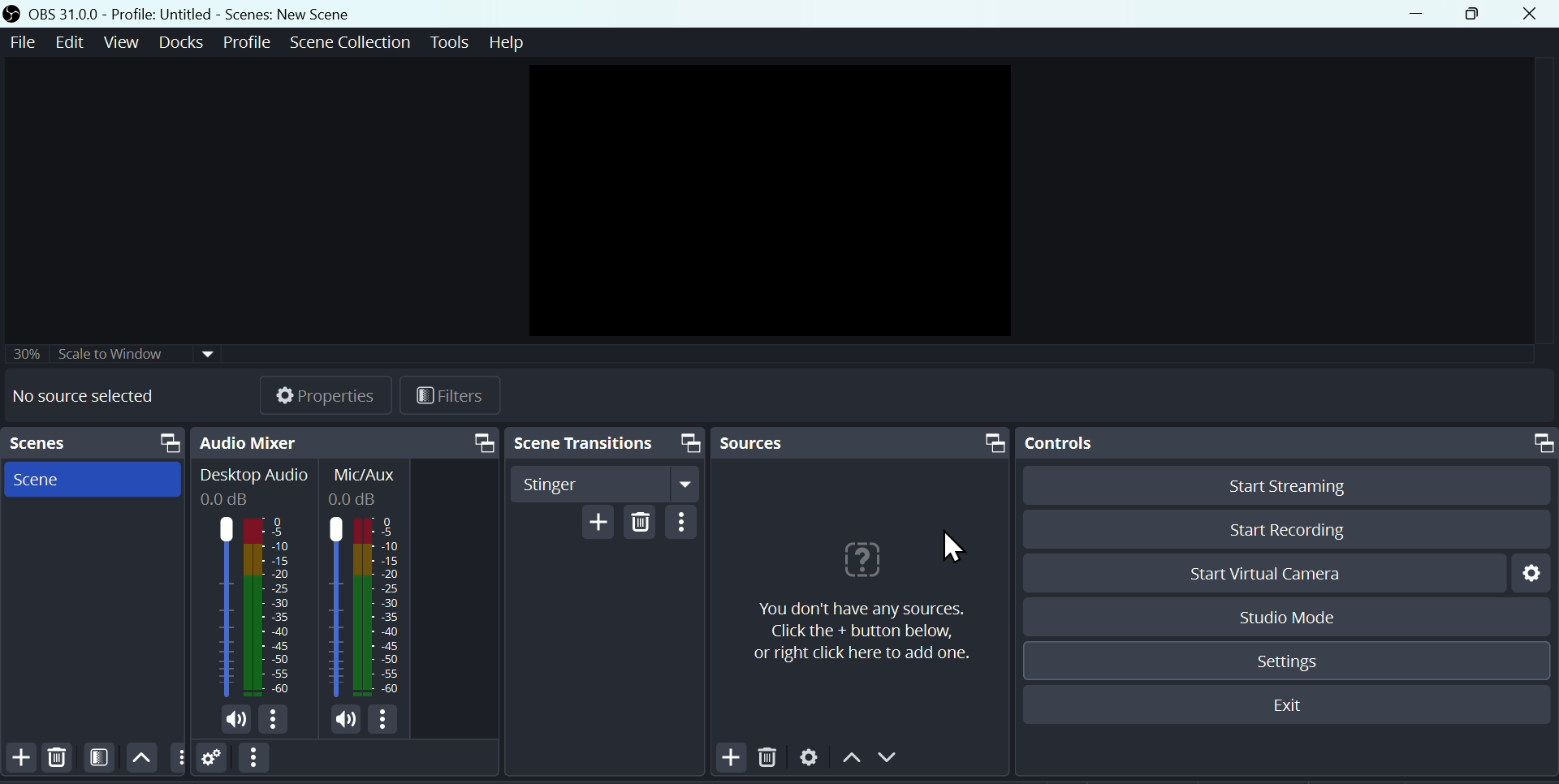 This screenshot has width=1559, height=784. Describe the element at coordinates (1539, 442) in the screenshot. I see `maximize` at that location.